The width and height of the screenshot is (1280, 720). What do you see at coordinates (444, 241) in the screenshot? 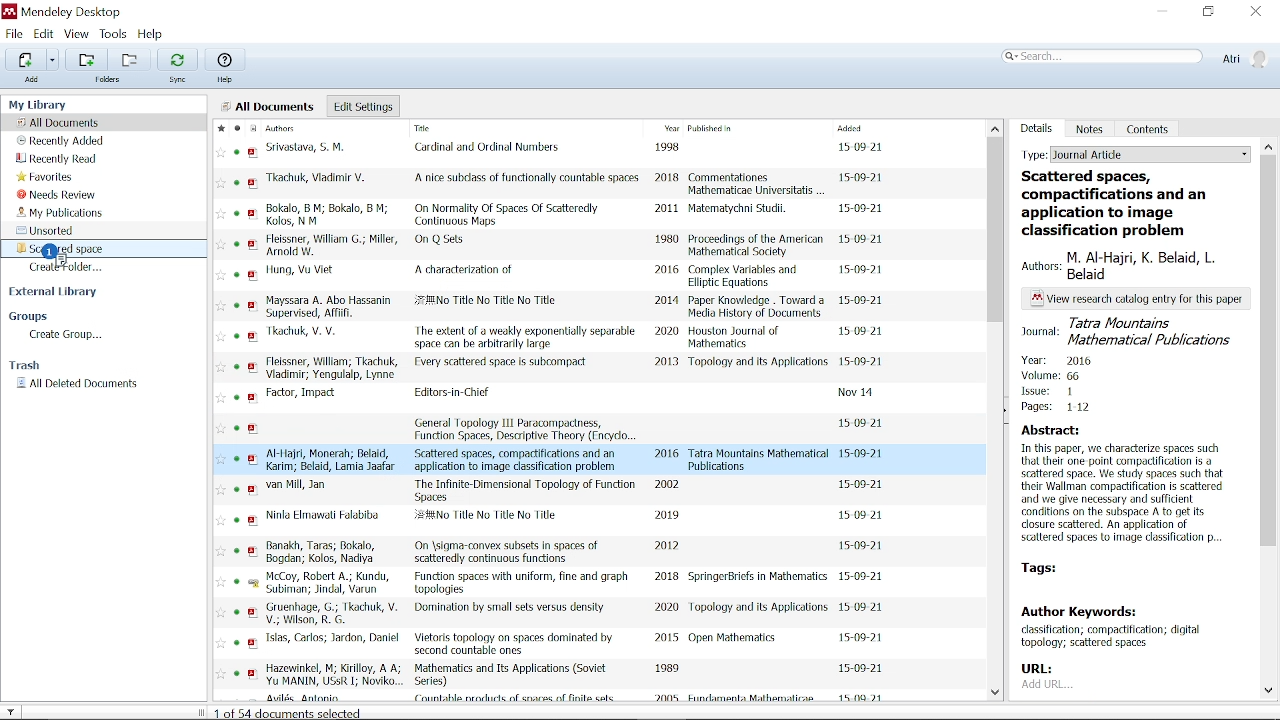
I see `title` at bounding box center [444, 241].